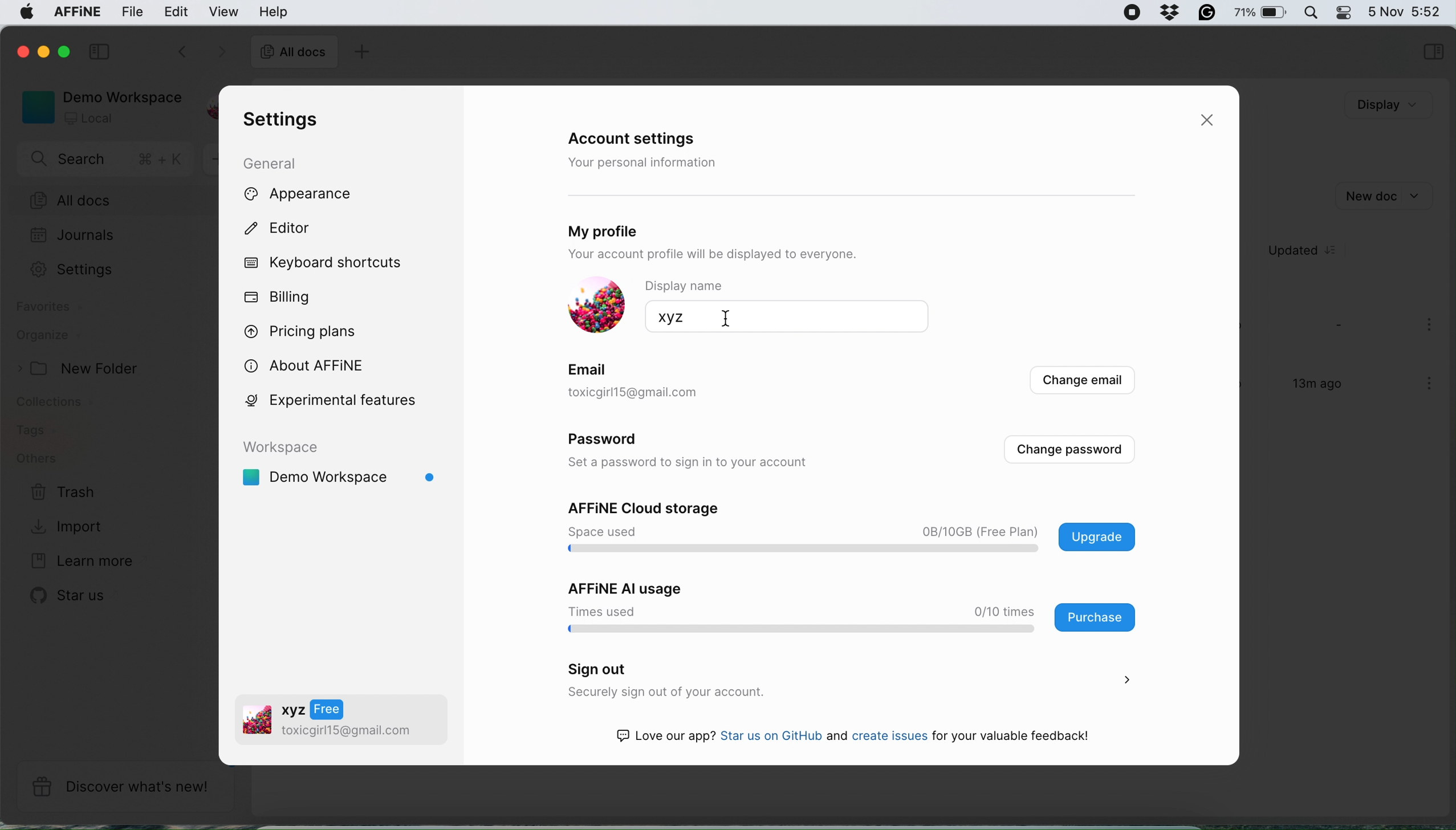  Describe the element at coordinates (52, 309) in the screenshot. I see `favourites` at that location.